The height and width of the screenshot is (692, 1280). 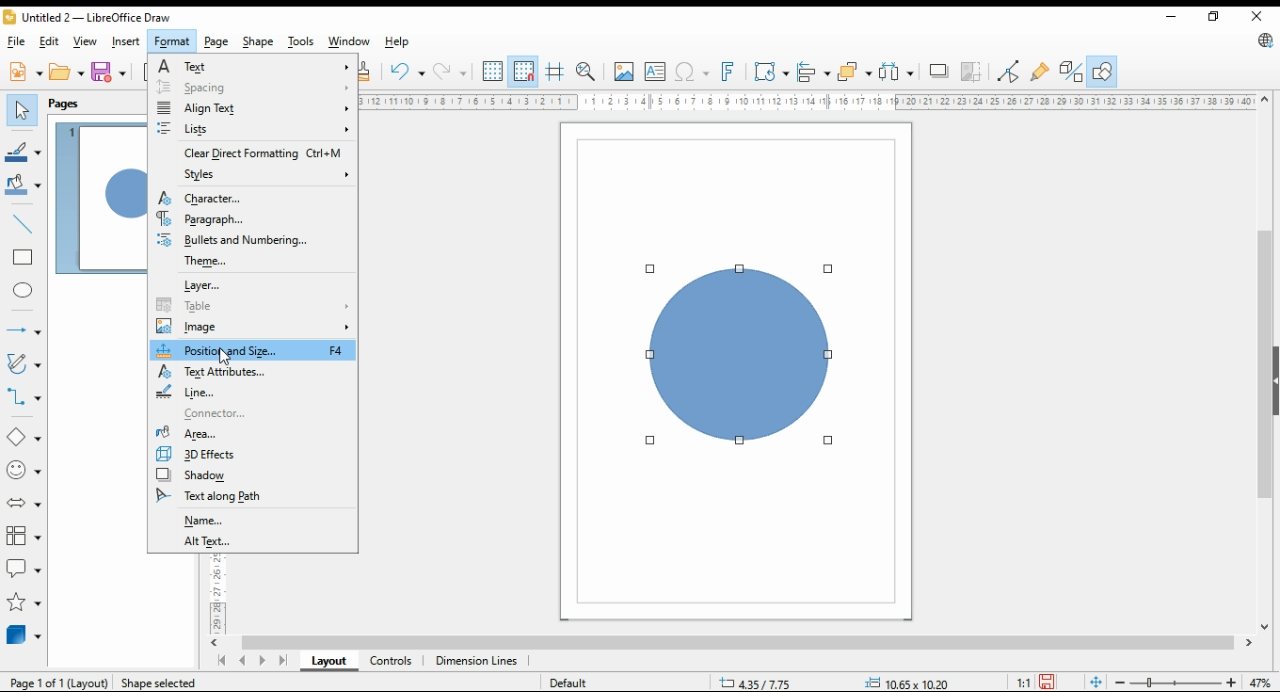 I want to click on block arrow, so click(x=24, y=505).